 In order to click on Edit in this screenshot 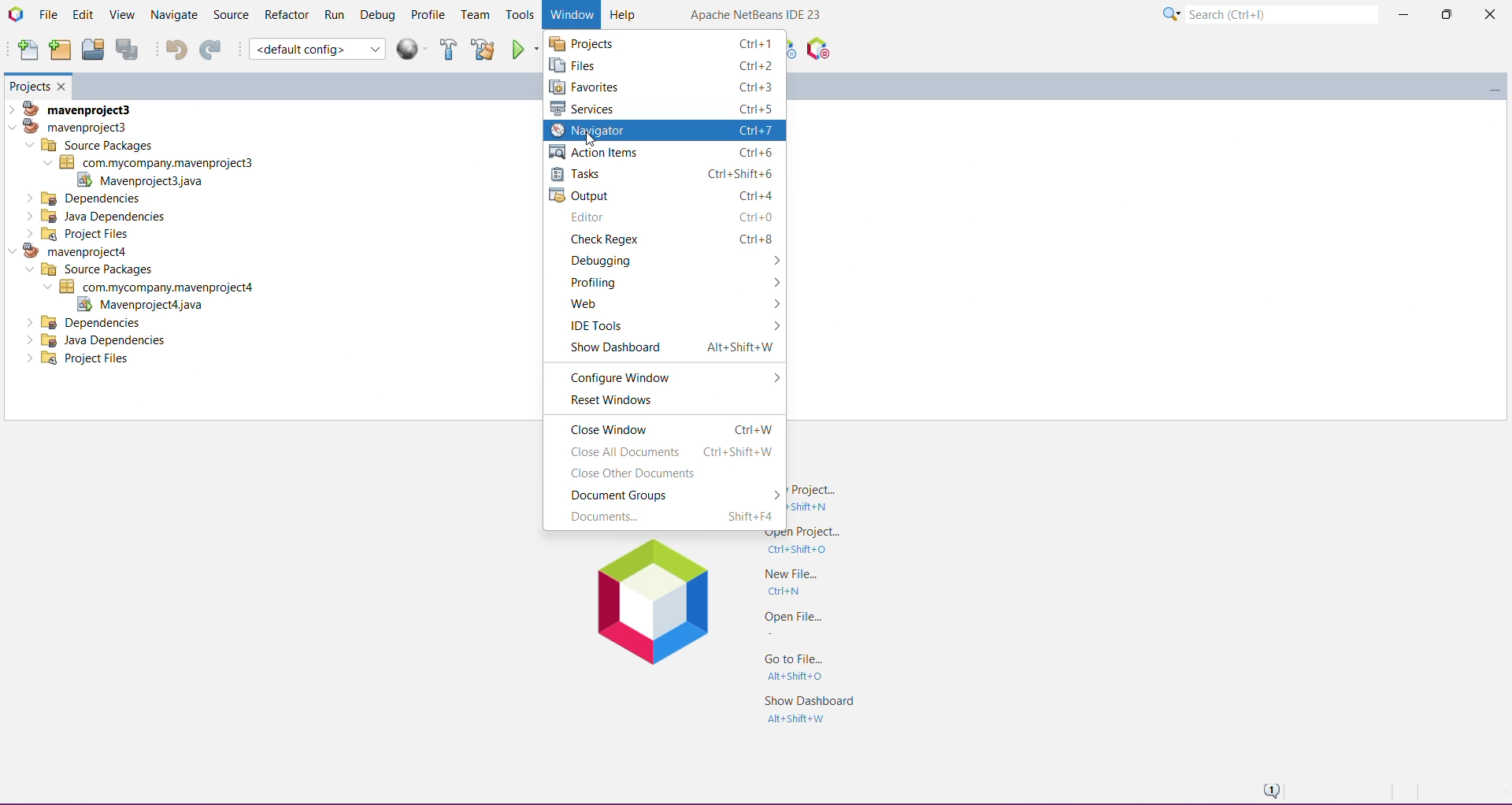, I will do `click(82, 16)`.